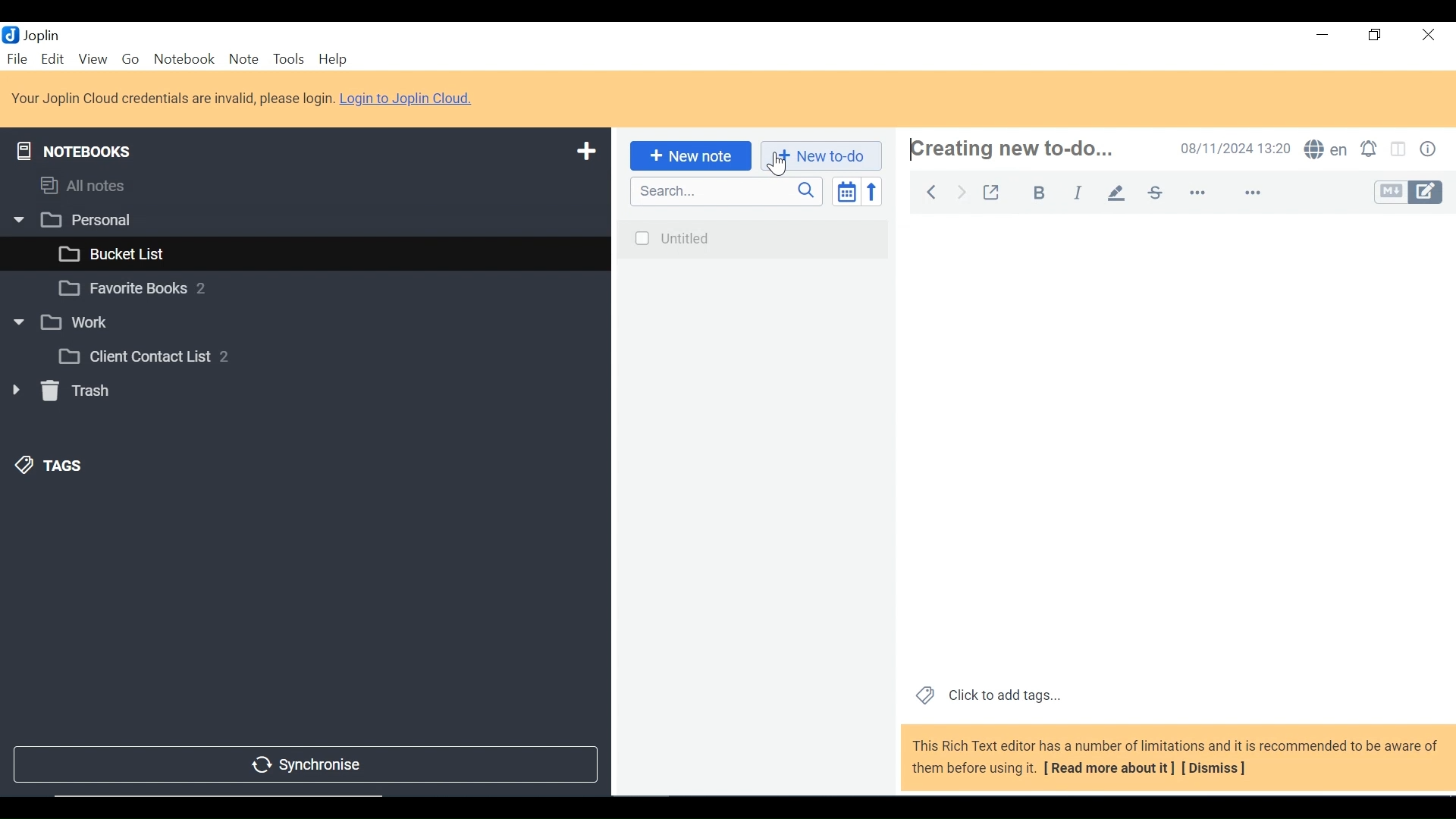 This screenshot has height=819, width=1456. I want to click on Restore, so click(1375, 37).